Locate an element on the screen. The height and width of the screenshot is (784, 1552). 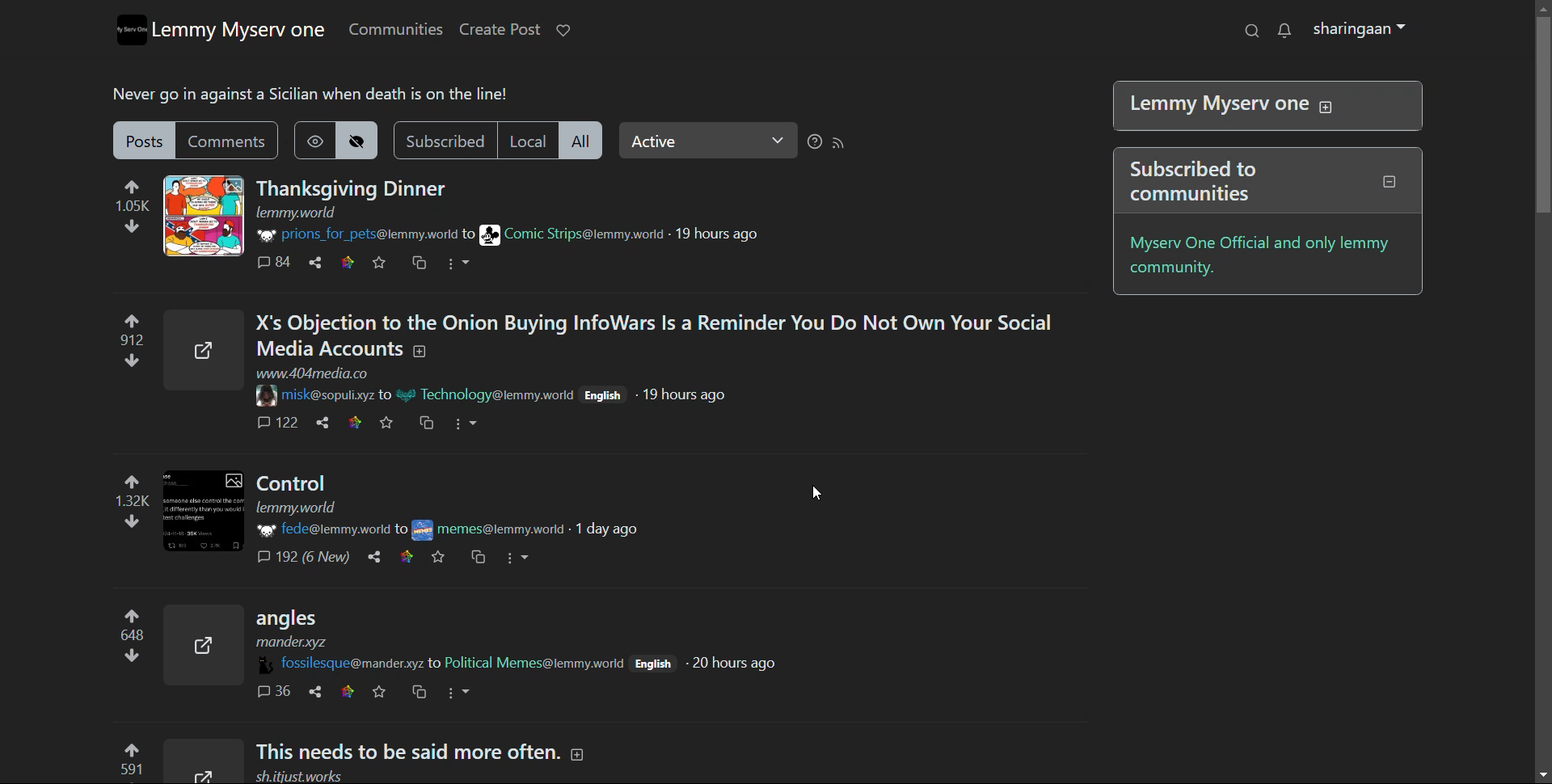
favorites is located at coordinates (377, 691).